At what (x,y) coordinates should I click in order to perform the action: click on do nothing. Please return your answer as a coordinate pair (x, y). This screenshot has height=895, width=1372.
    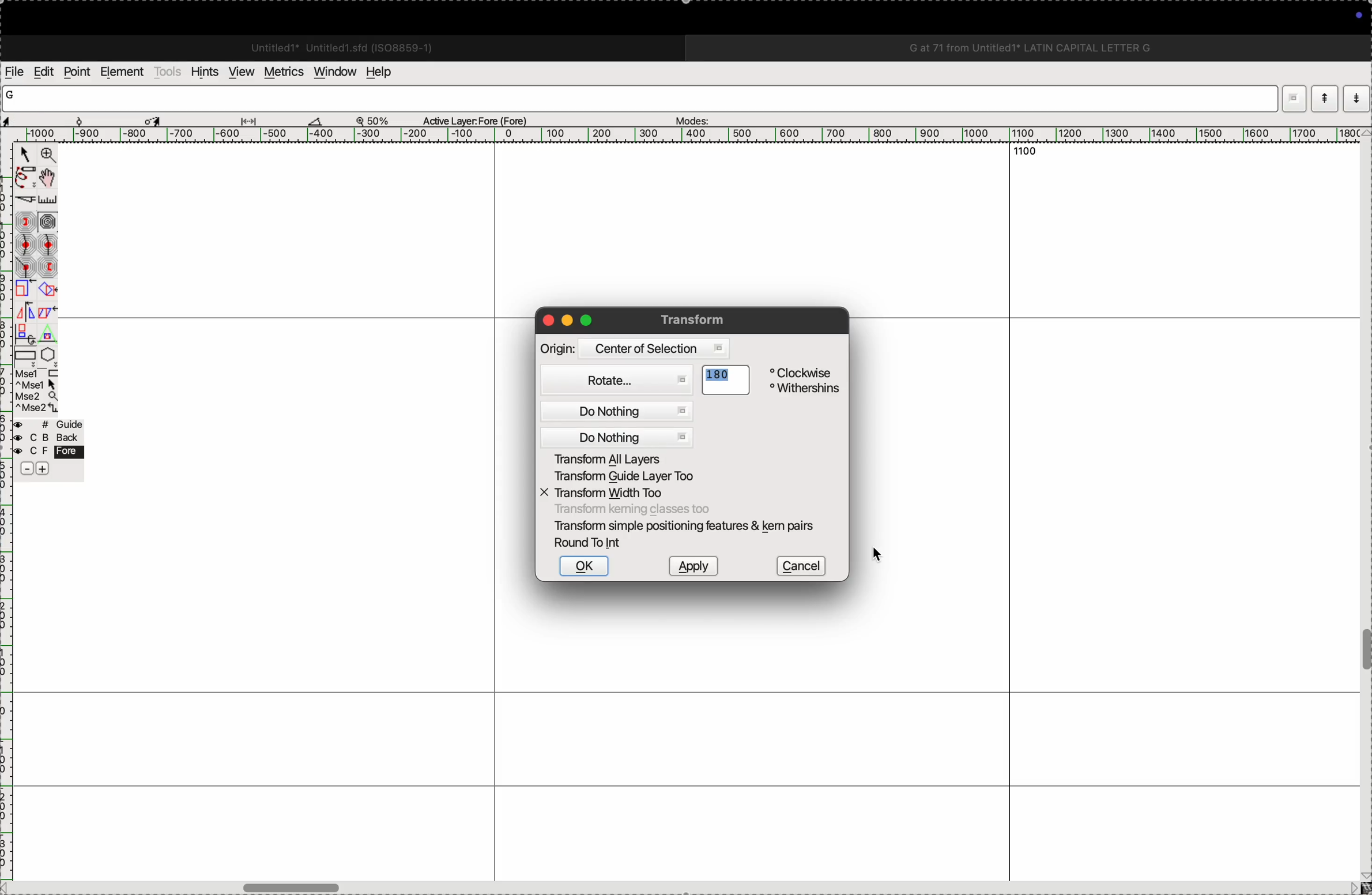
    Looking at the image, I should click on (624, 411).